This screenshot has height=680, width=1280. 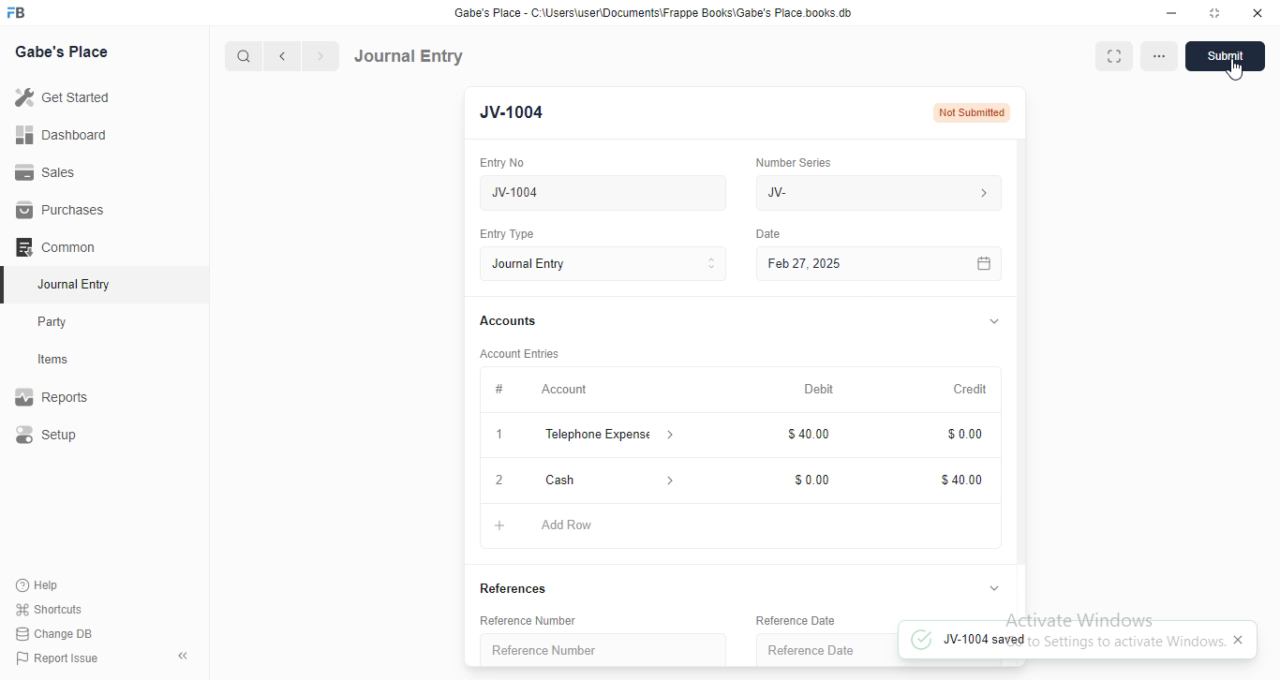 I want to click on Debit, so click(x=819, y=390).